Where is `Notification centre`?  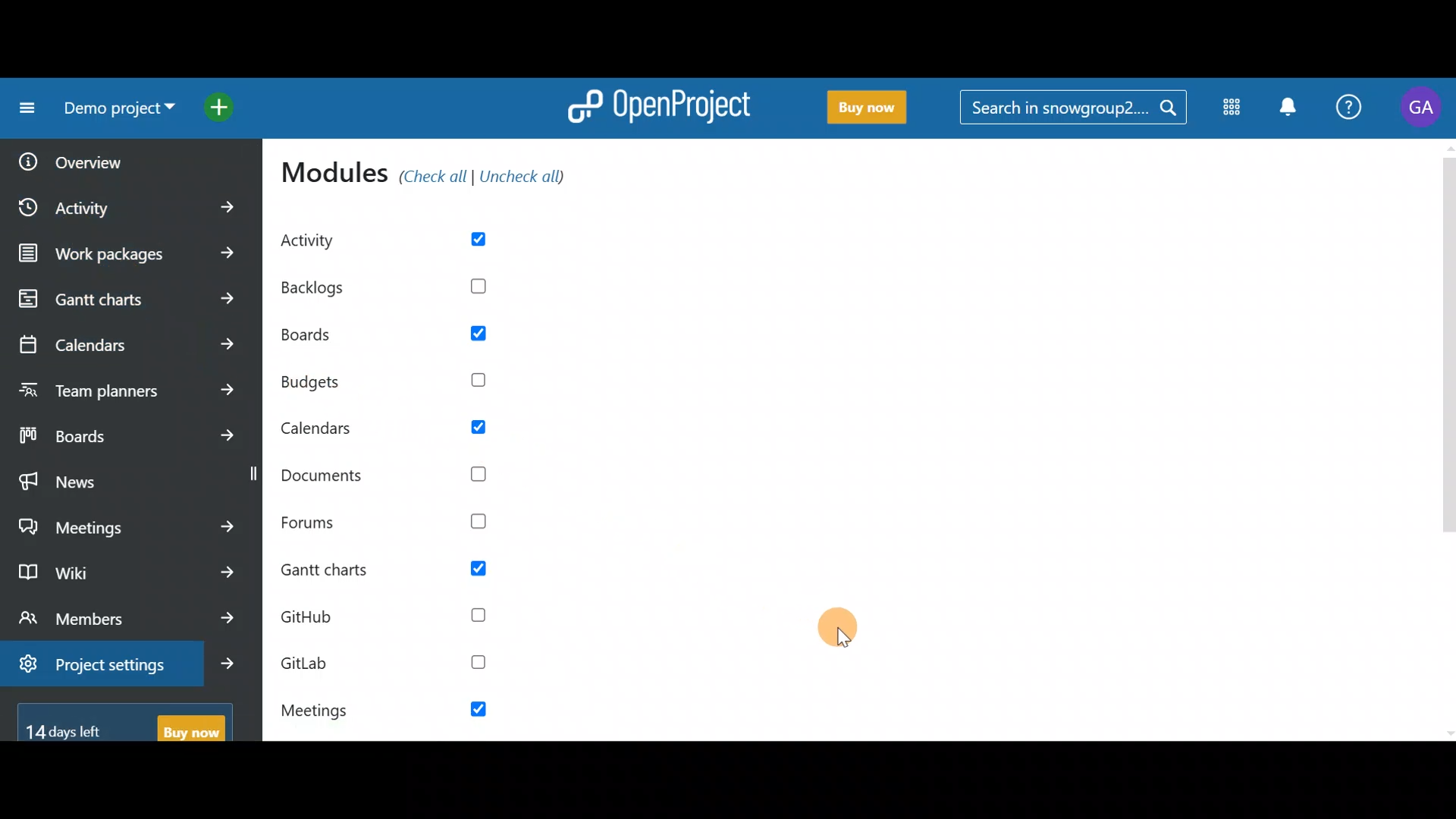 Notification centre is located at coordinates (1291, 111).